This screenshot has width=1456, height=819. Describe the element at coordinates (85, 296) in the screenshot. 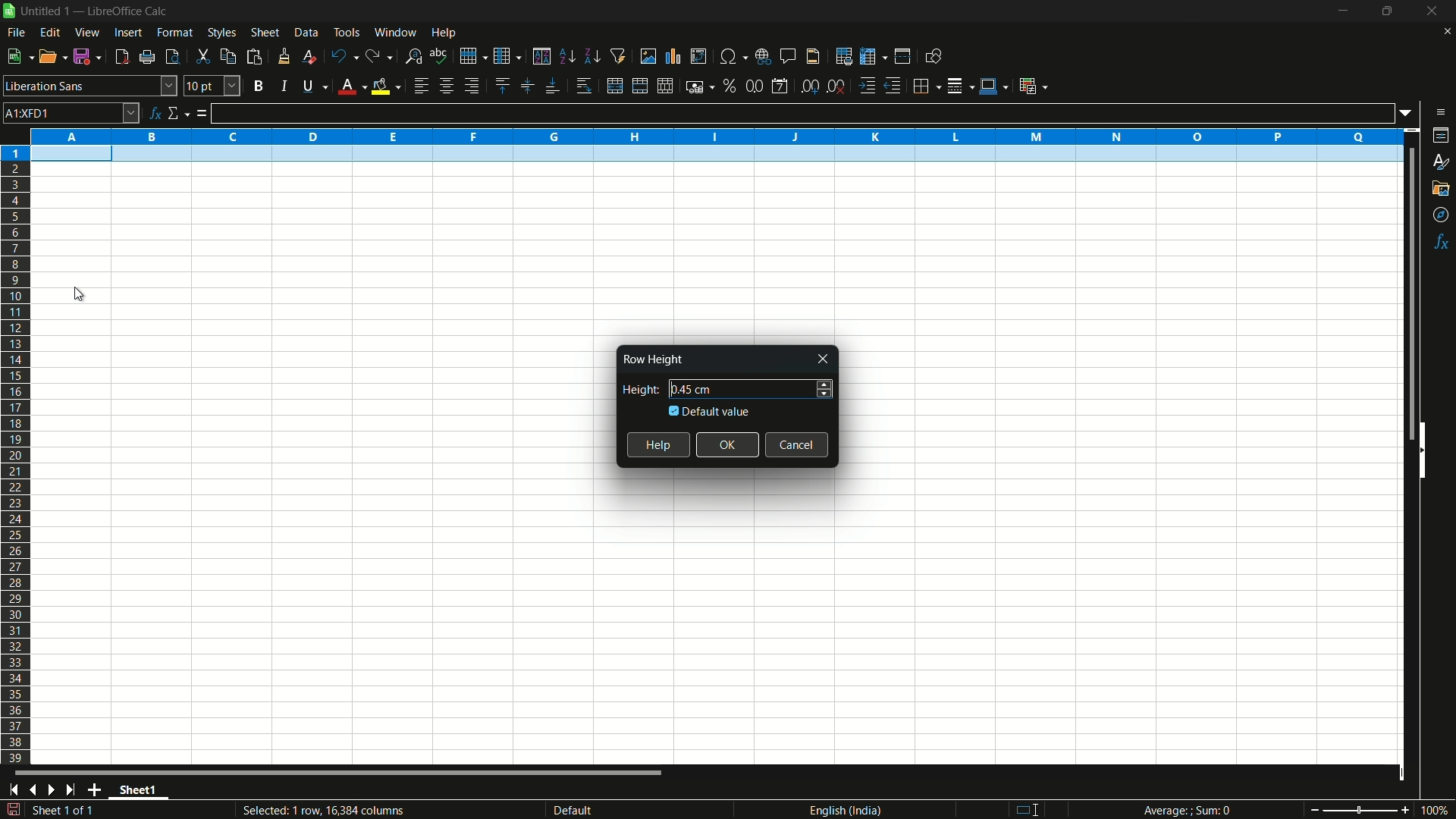

I see `cursor` at that location.